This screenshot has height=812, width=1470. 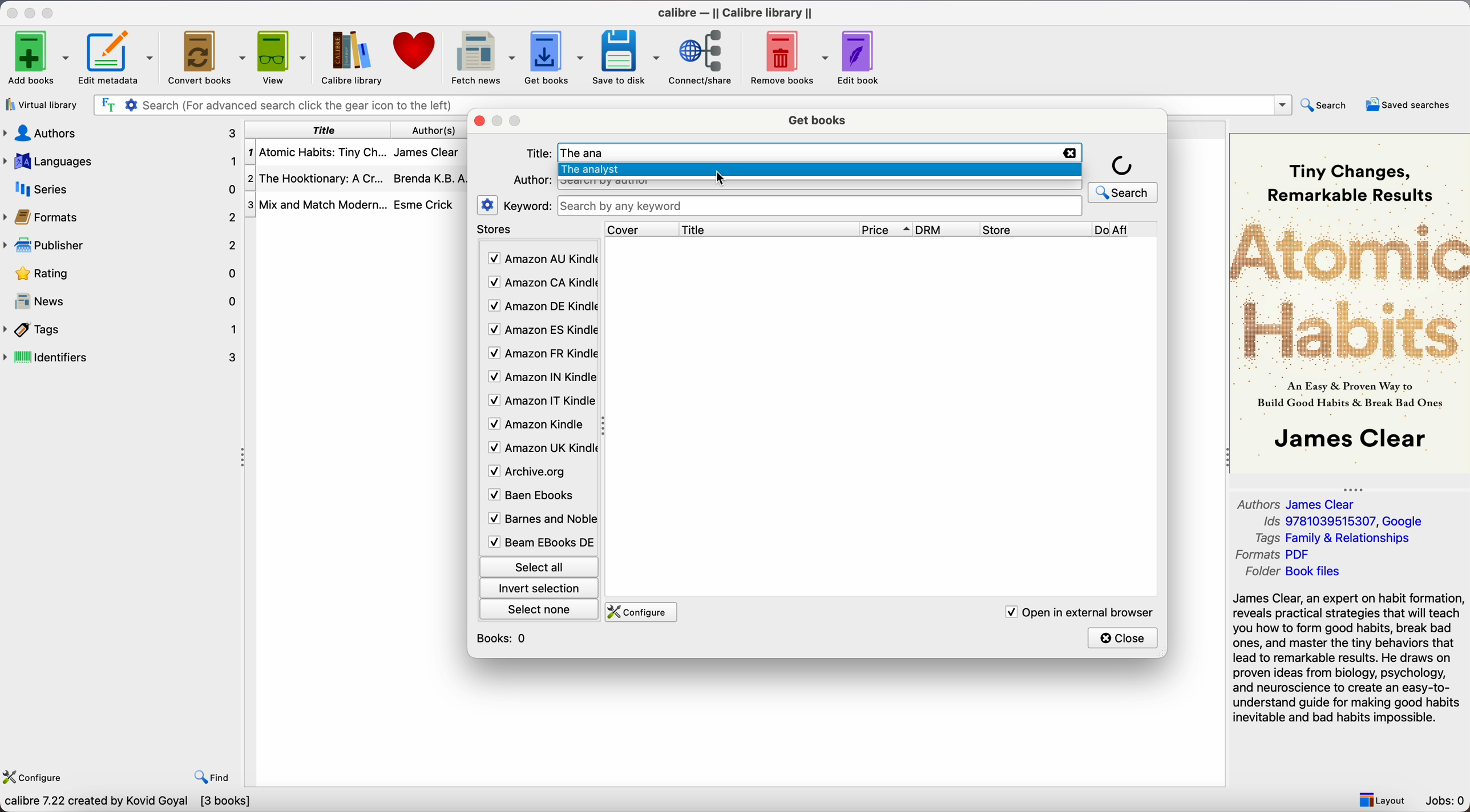 I want to click on open in external browser, so click(x=1079, y=612).